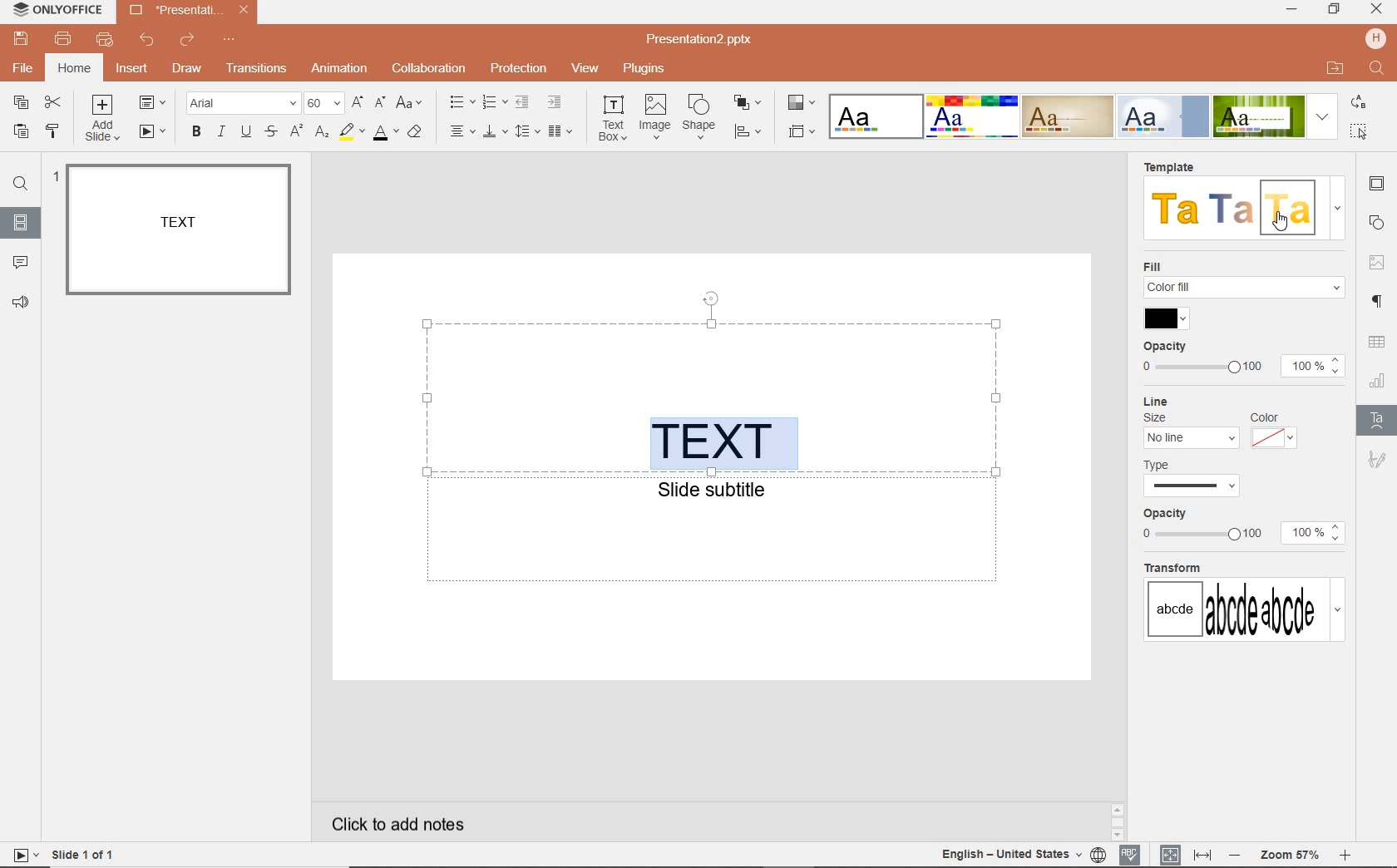 This screenshot has height=868, width=1397. I want to click on SCROLLBAR, so click(1345, 821).